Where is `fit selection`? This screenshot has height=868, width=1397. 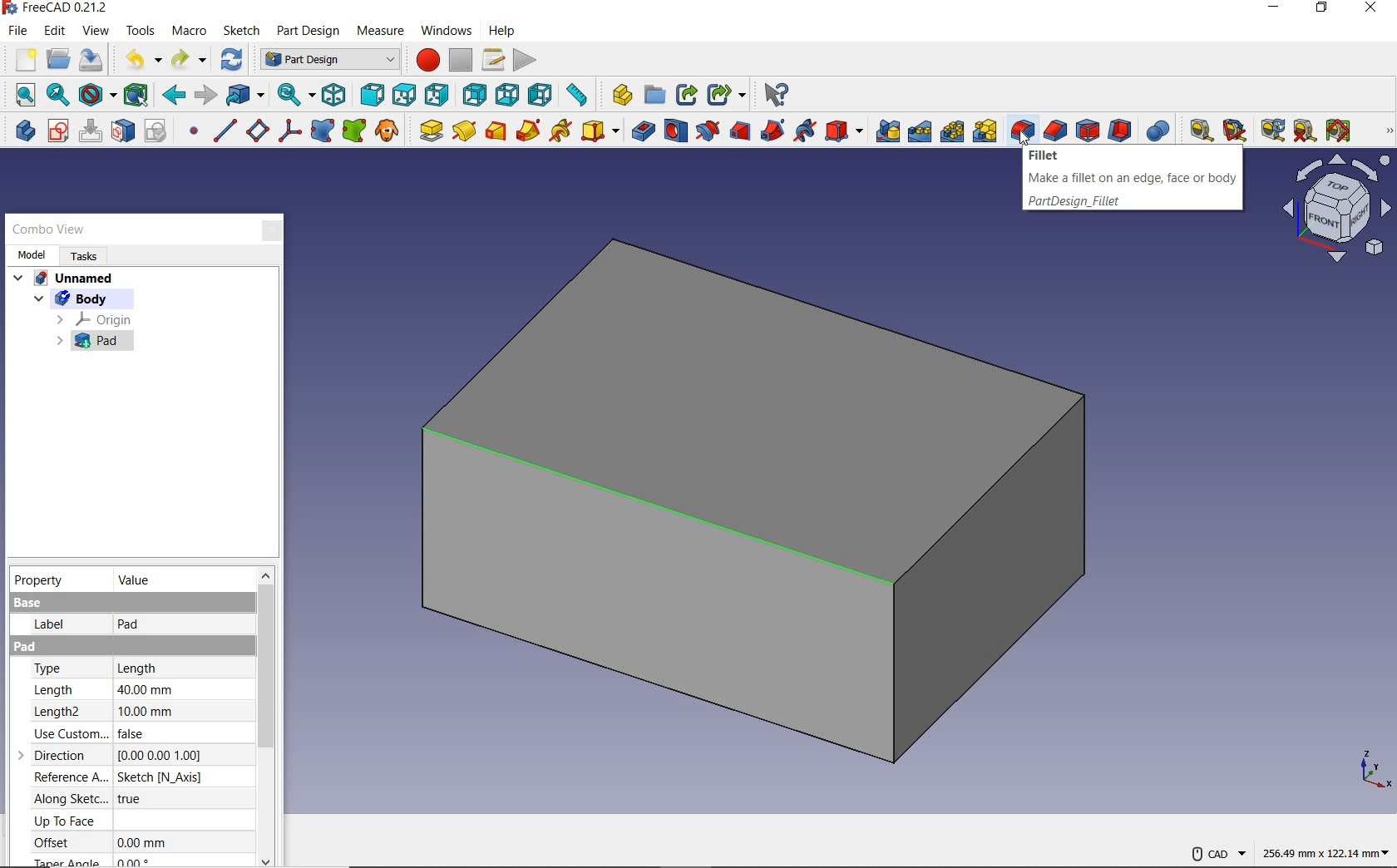
fit selection is located at coordinates (57, 95).